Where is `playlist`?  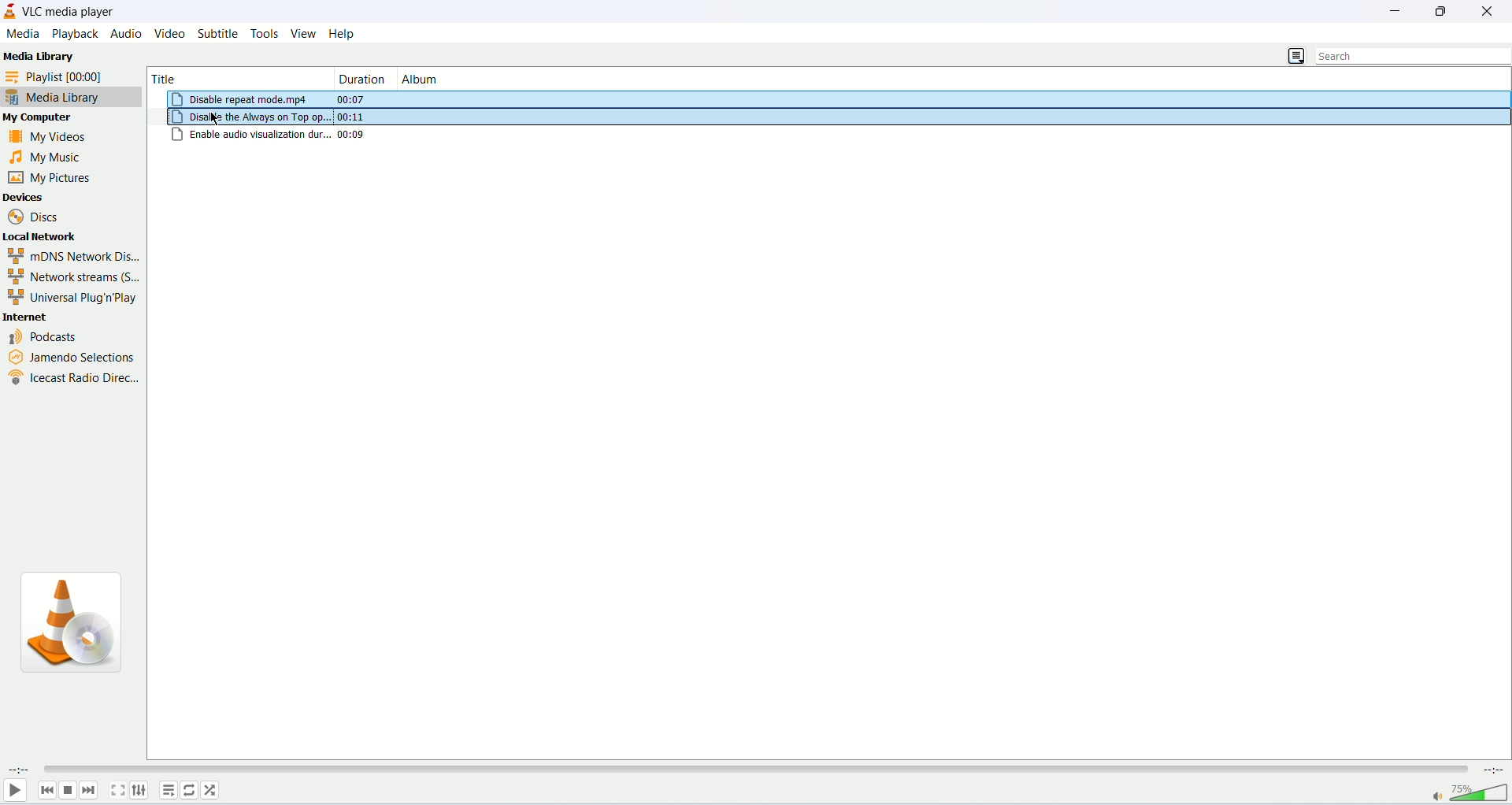
playlist is located at coordinates (66, 76).